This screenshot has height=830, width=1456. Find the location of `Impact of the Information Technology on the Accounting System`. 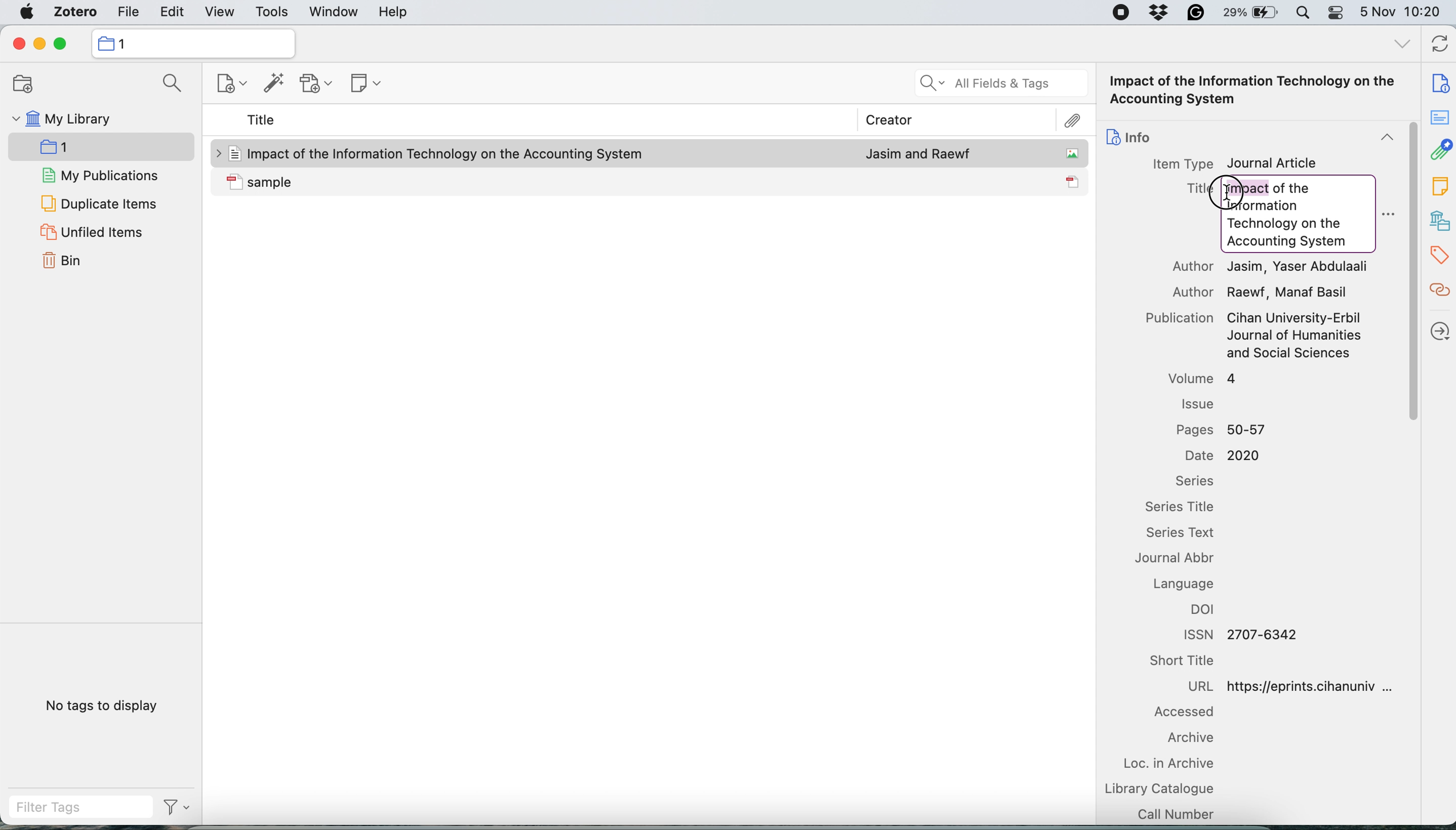

Impact of the Information Technology on the Accounting System is located at coordinates (1254, 91).